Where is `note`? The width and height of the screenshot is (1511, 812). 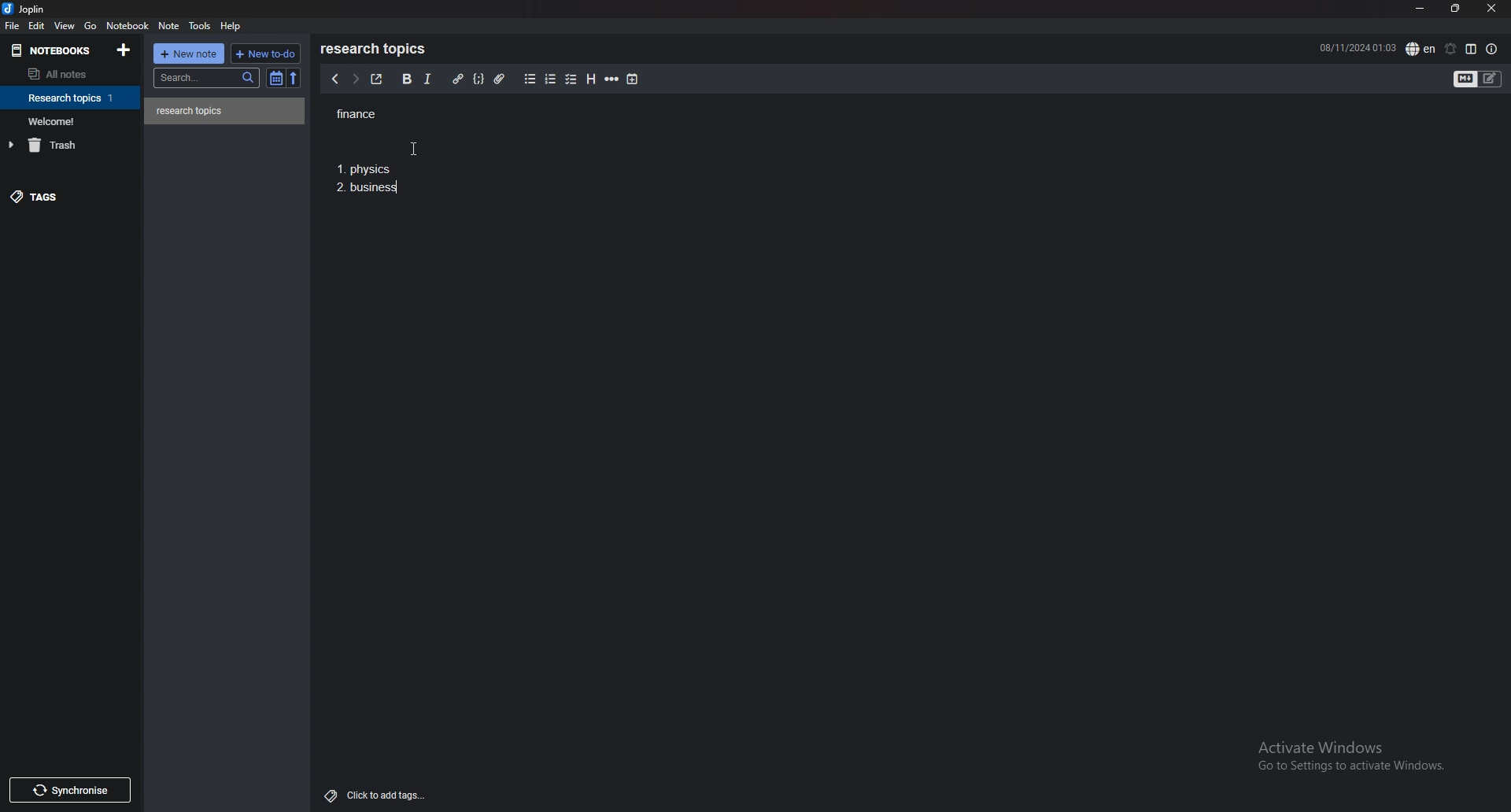 note is located at coordinates (168, 26).